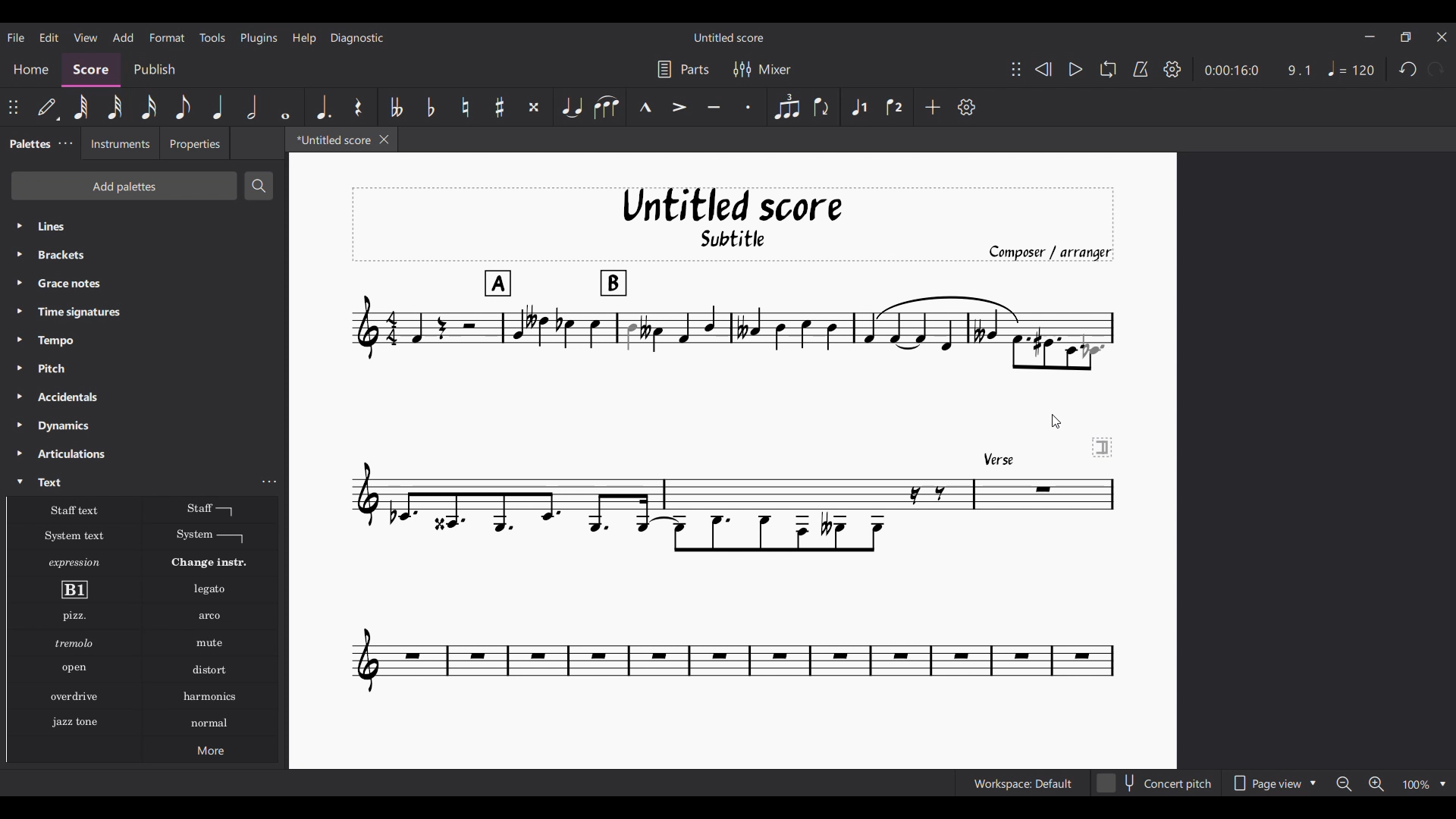 The height and width of the screenshot is (819, 1456). I want to click on Zoom out, so click(1345, 783).